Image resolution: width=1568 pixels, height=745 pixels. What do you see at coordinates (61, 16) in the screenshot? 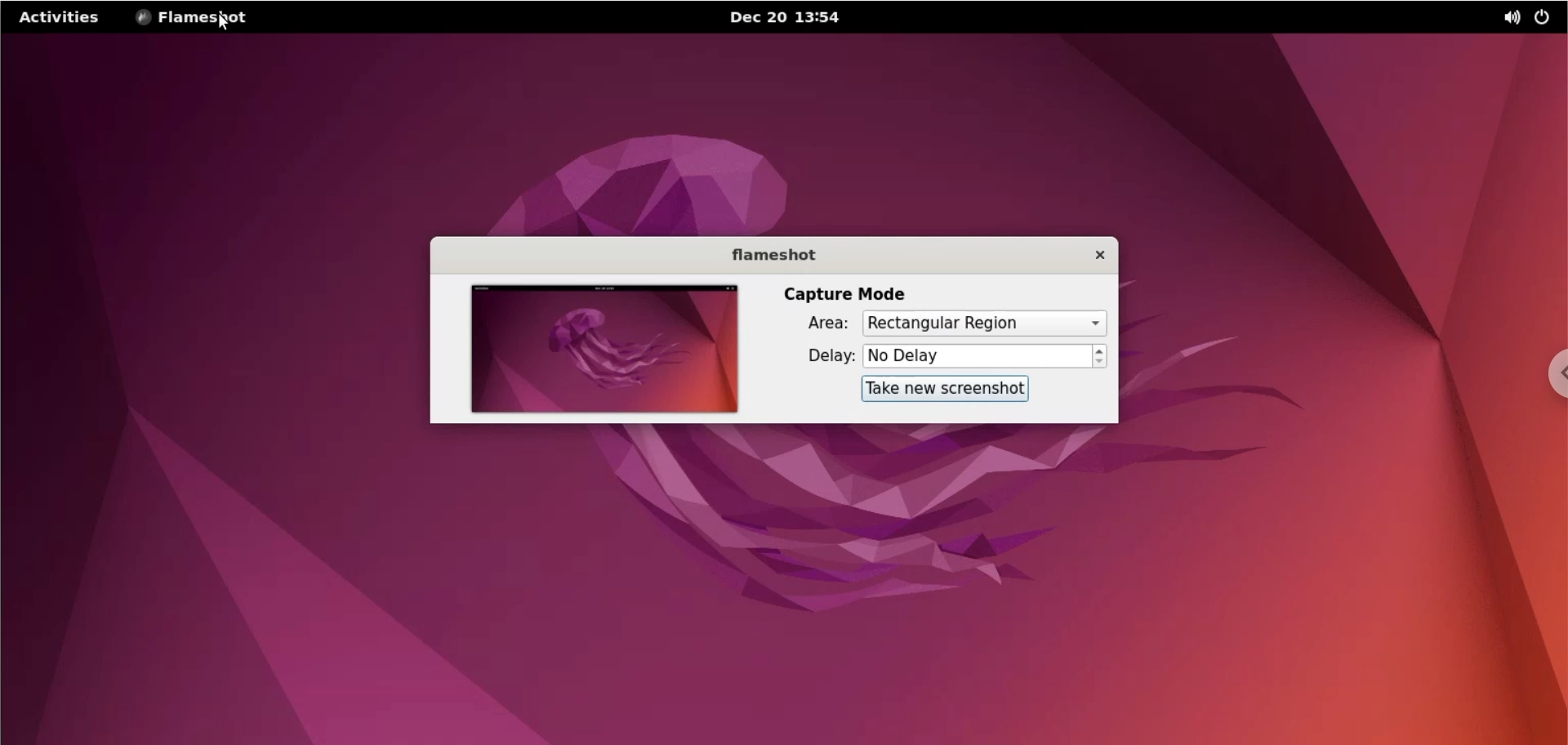
I see `activities` at bounding box center [61, 16].